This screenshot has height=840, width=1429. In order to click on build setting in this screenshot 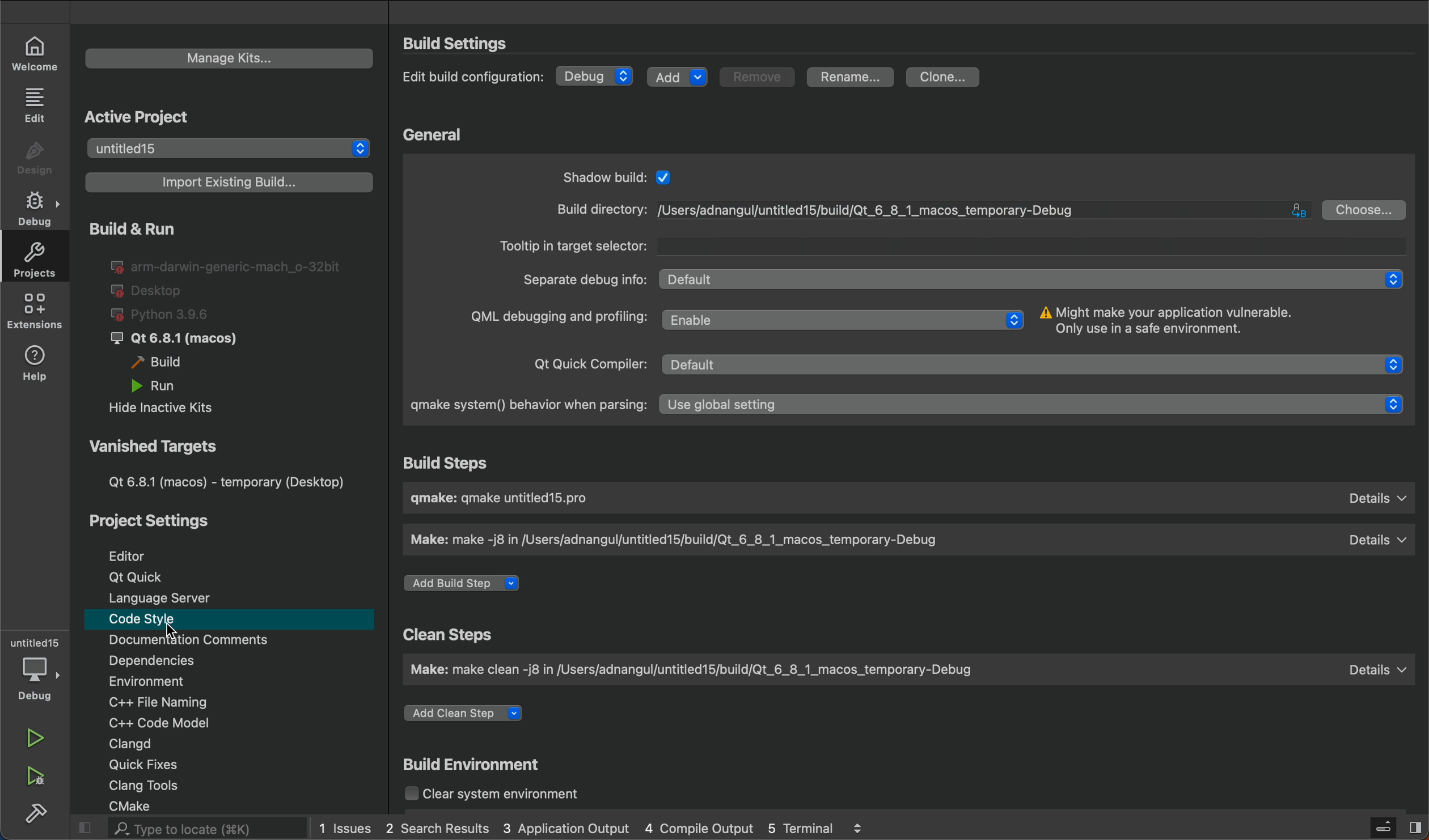, I will do `click(465, 43)`.